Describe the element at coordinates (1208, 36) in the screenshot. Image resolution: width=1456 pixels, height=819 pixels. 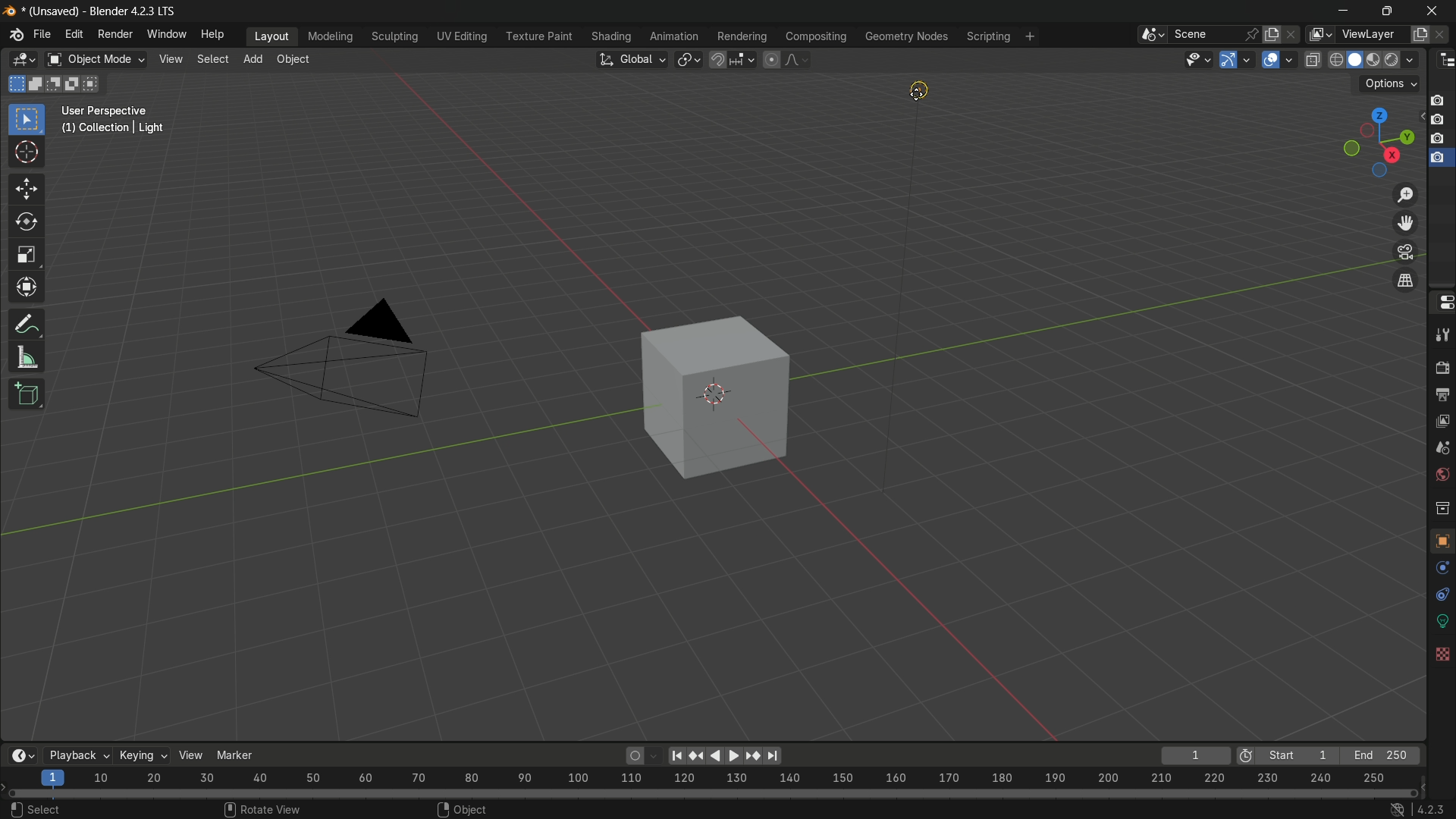
I see `scene name` at that location.